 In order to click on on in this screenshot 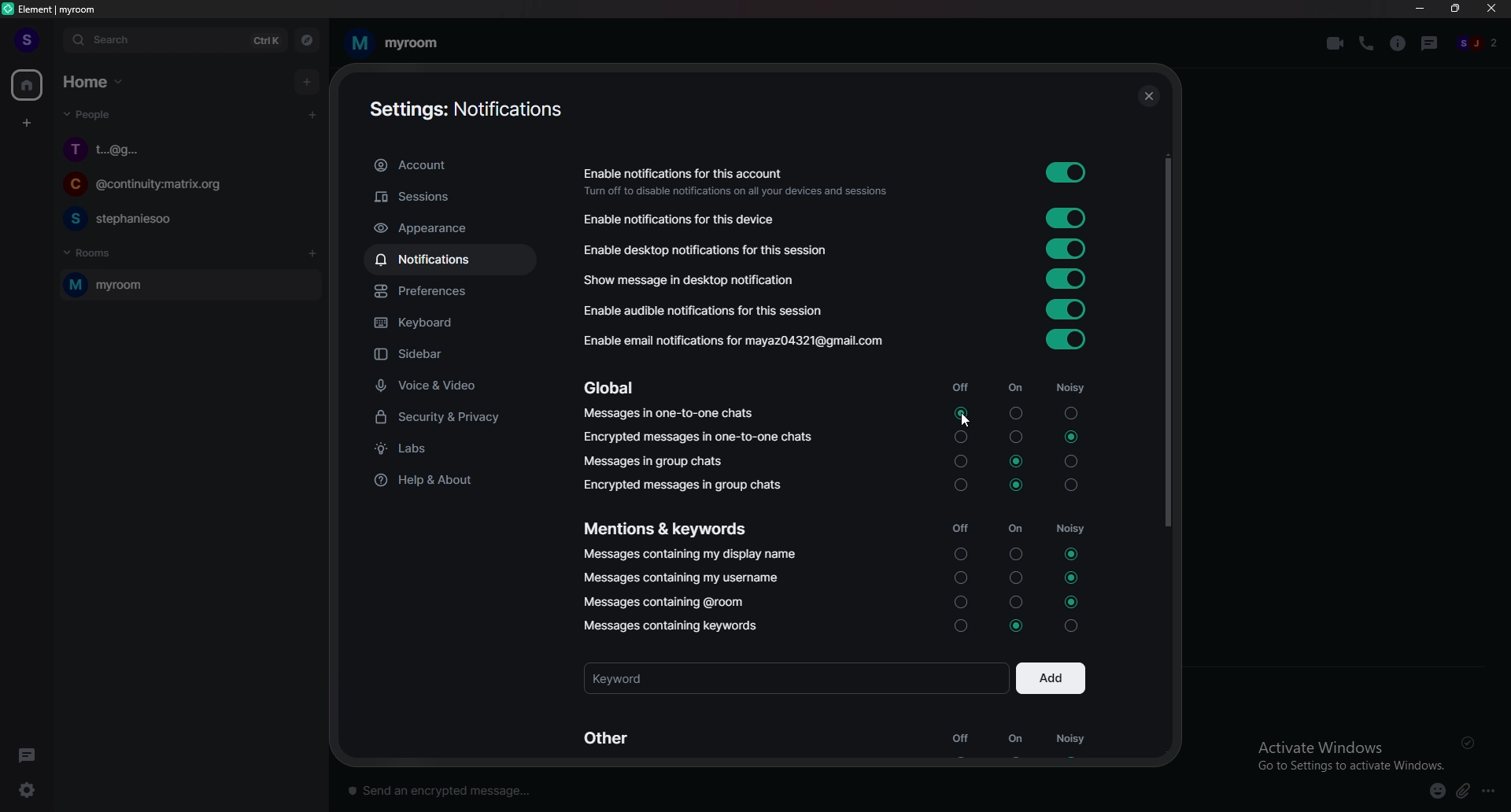, I will do `click(1015, 738)`.